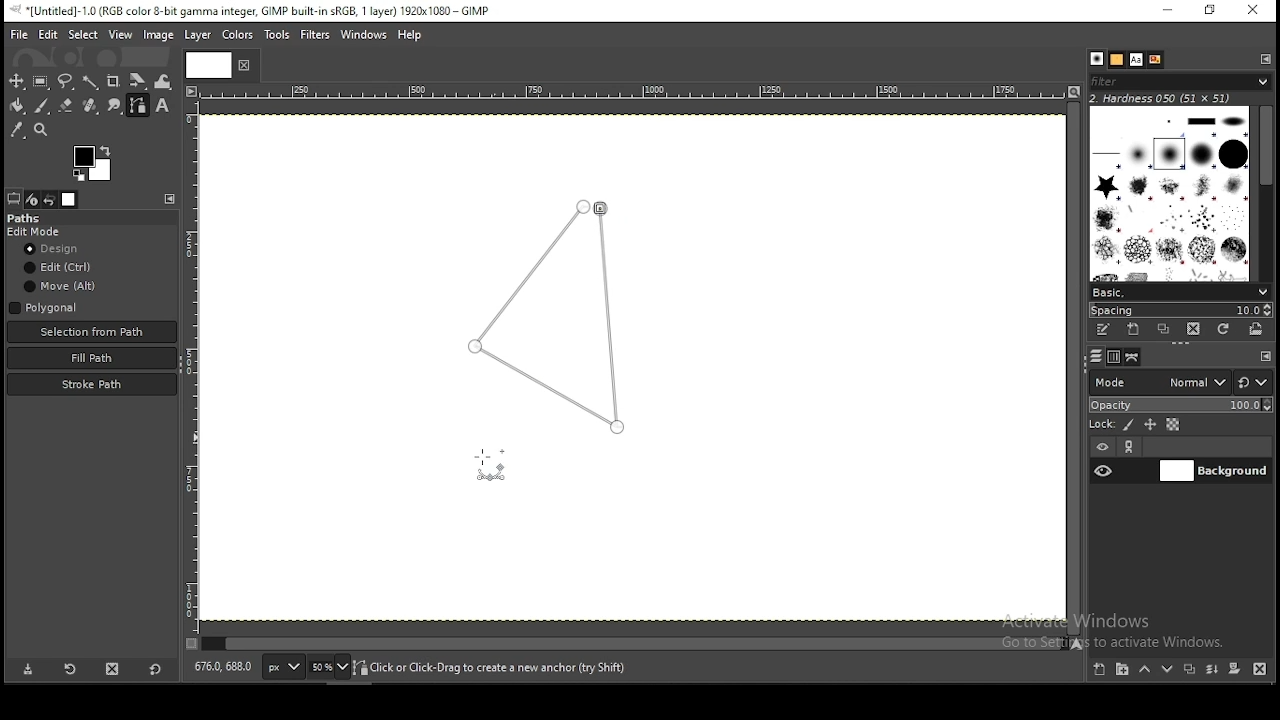 This screenshot has height=720, width=1280. I want to click on brushes, so click(1167, 193).